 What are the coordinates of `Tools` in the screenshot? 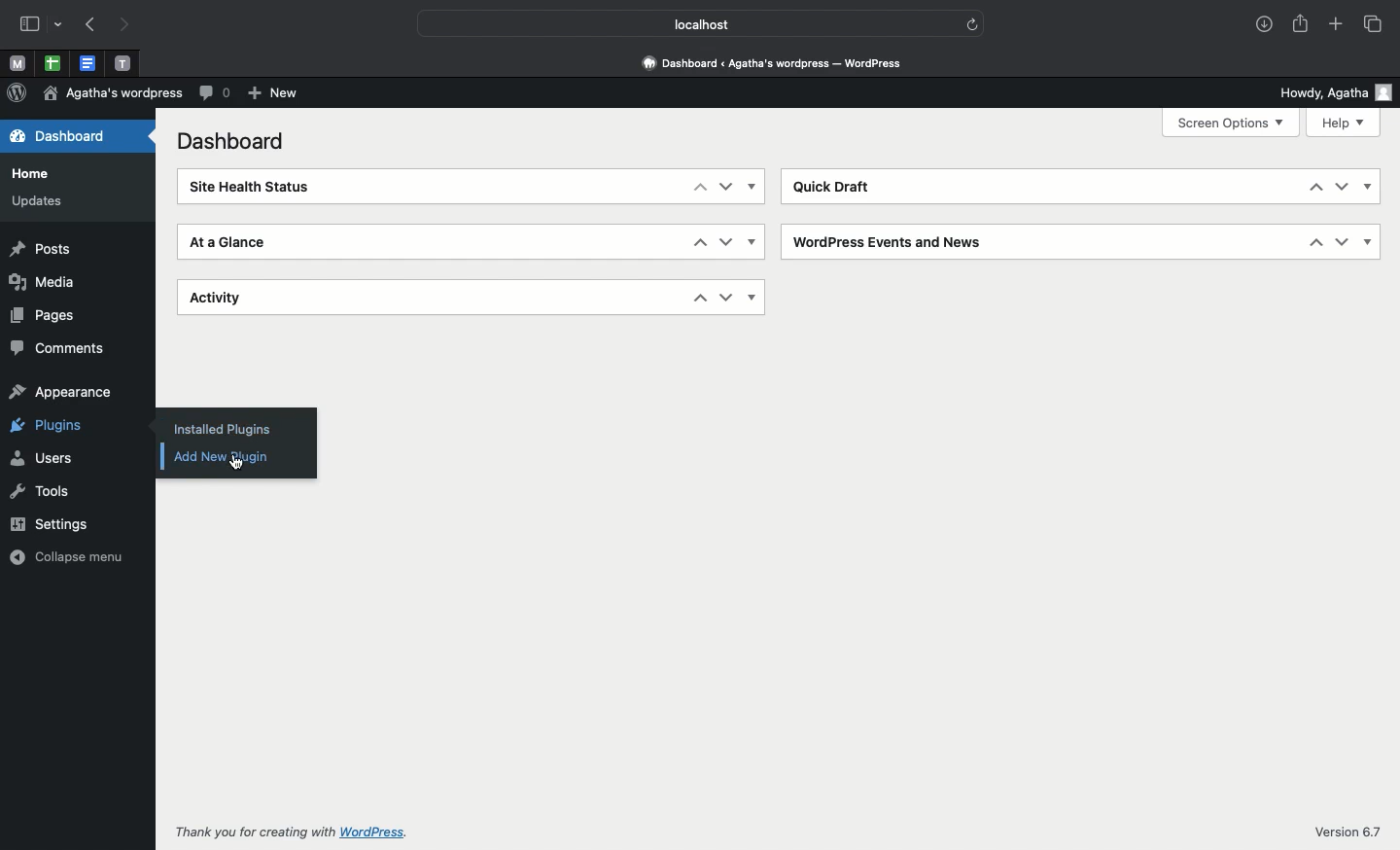 It's located at (49, 492).